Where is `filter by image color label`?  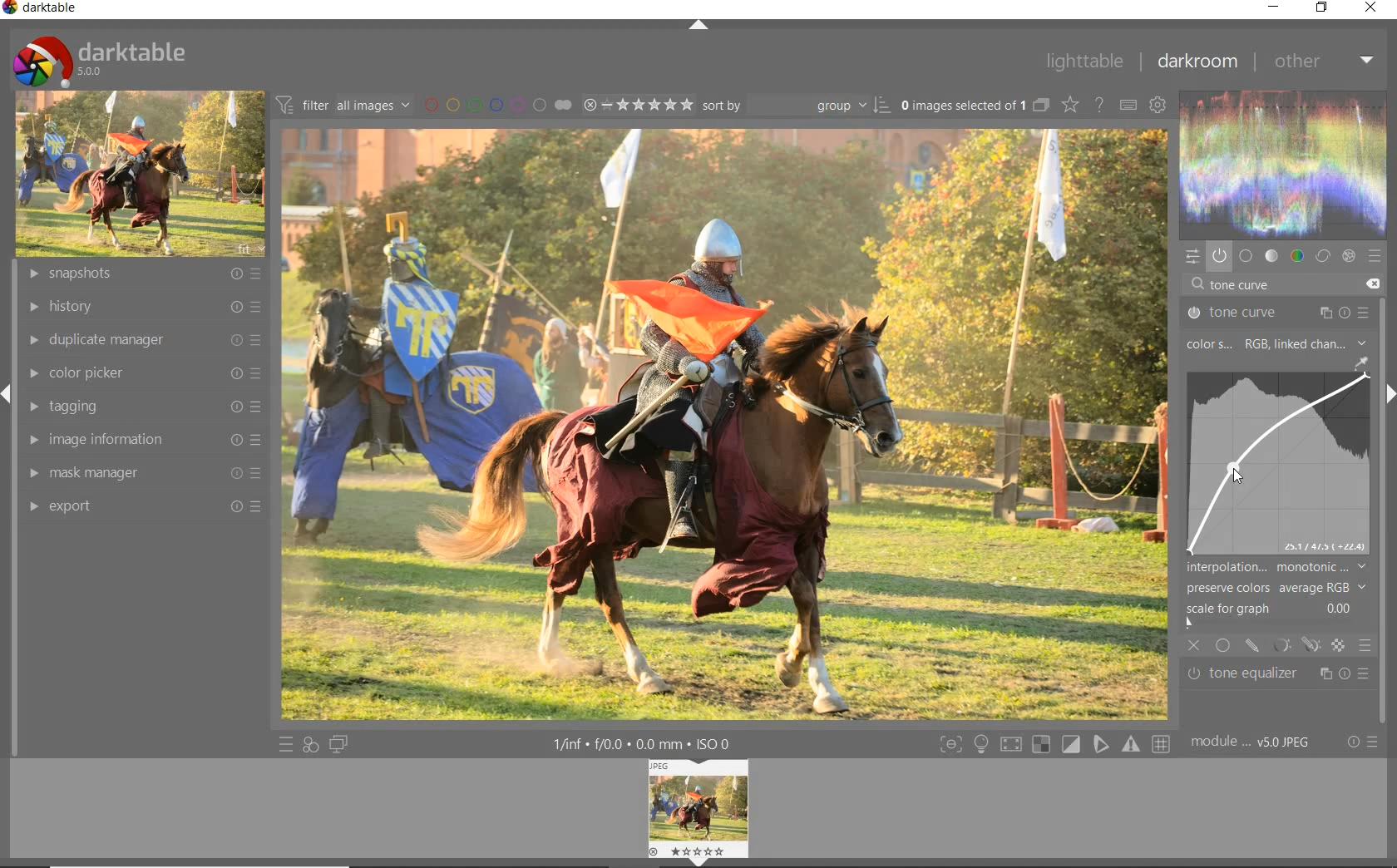
filter by image color label is located at coordinates (496, 104).